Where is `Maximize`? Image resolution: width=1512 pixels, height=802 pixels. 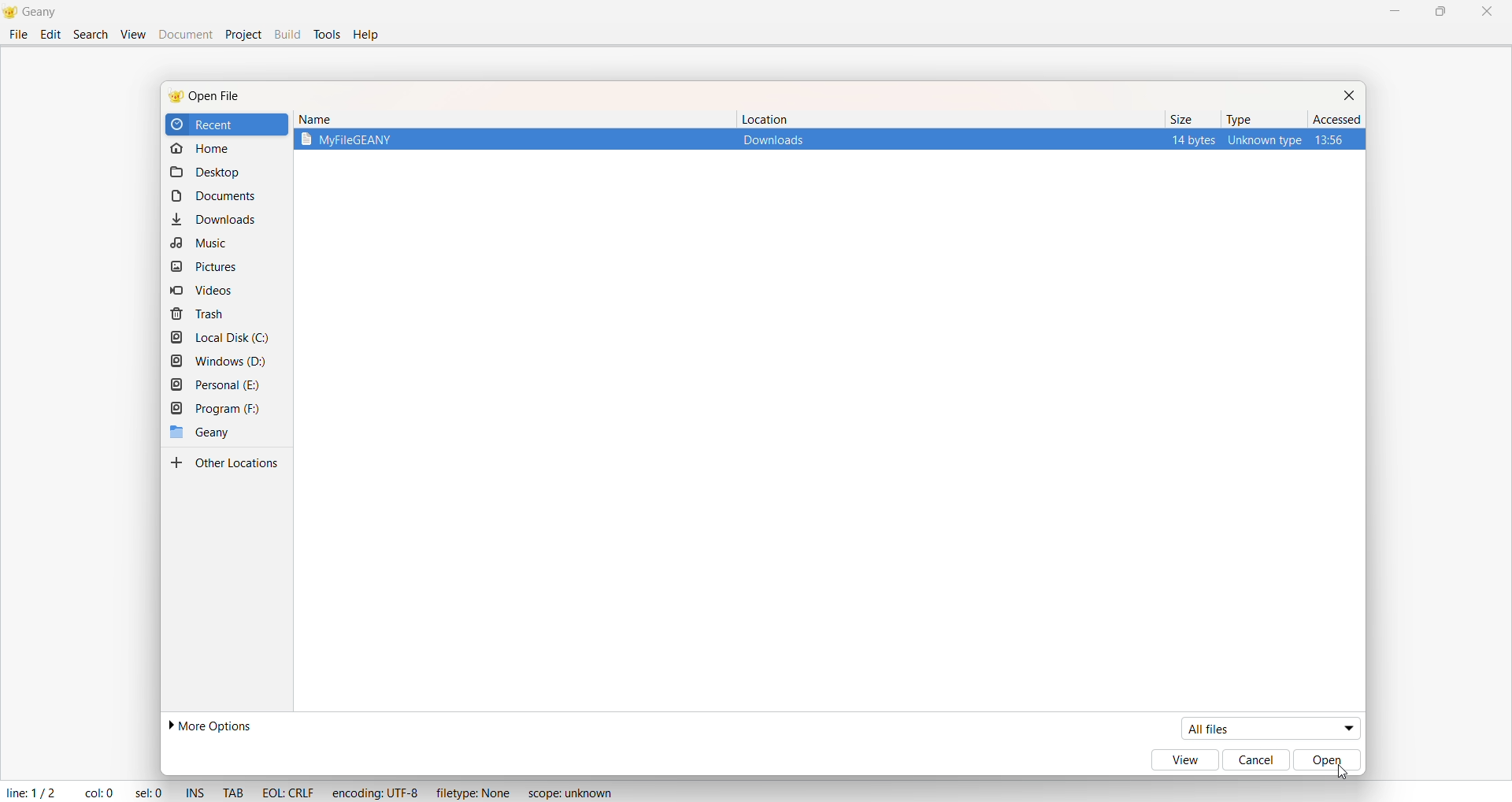
Maximize is located at coordinates (1443, 13).